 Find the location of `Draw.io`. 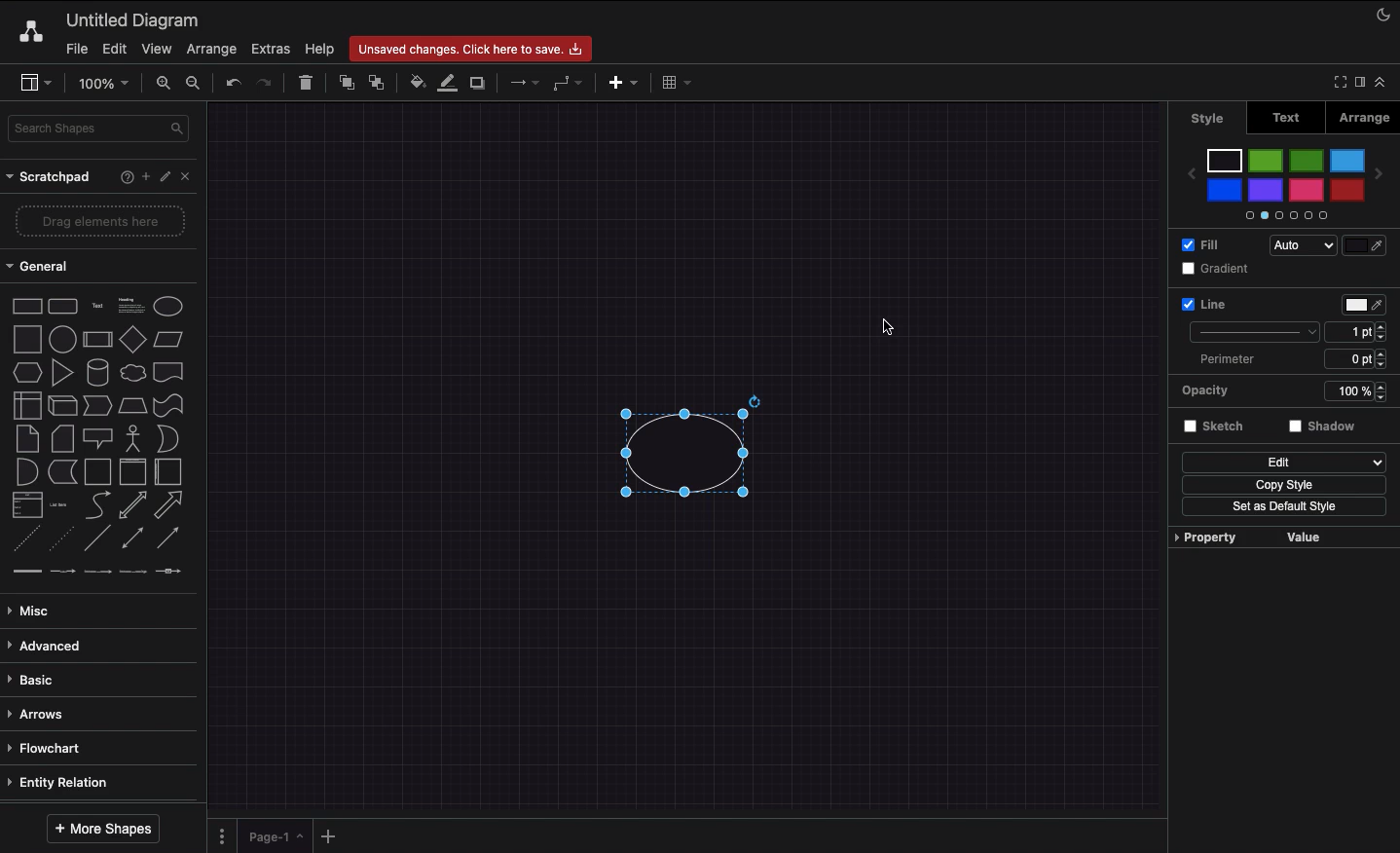

Draw.io is located at coordinates (27, 31).